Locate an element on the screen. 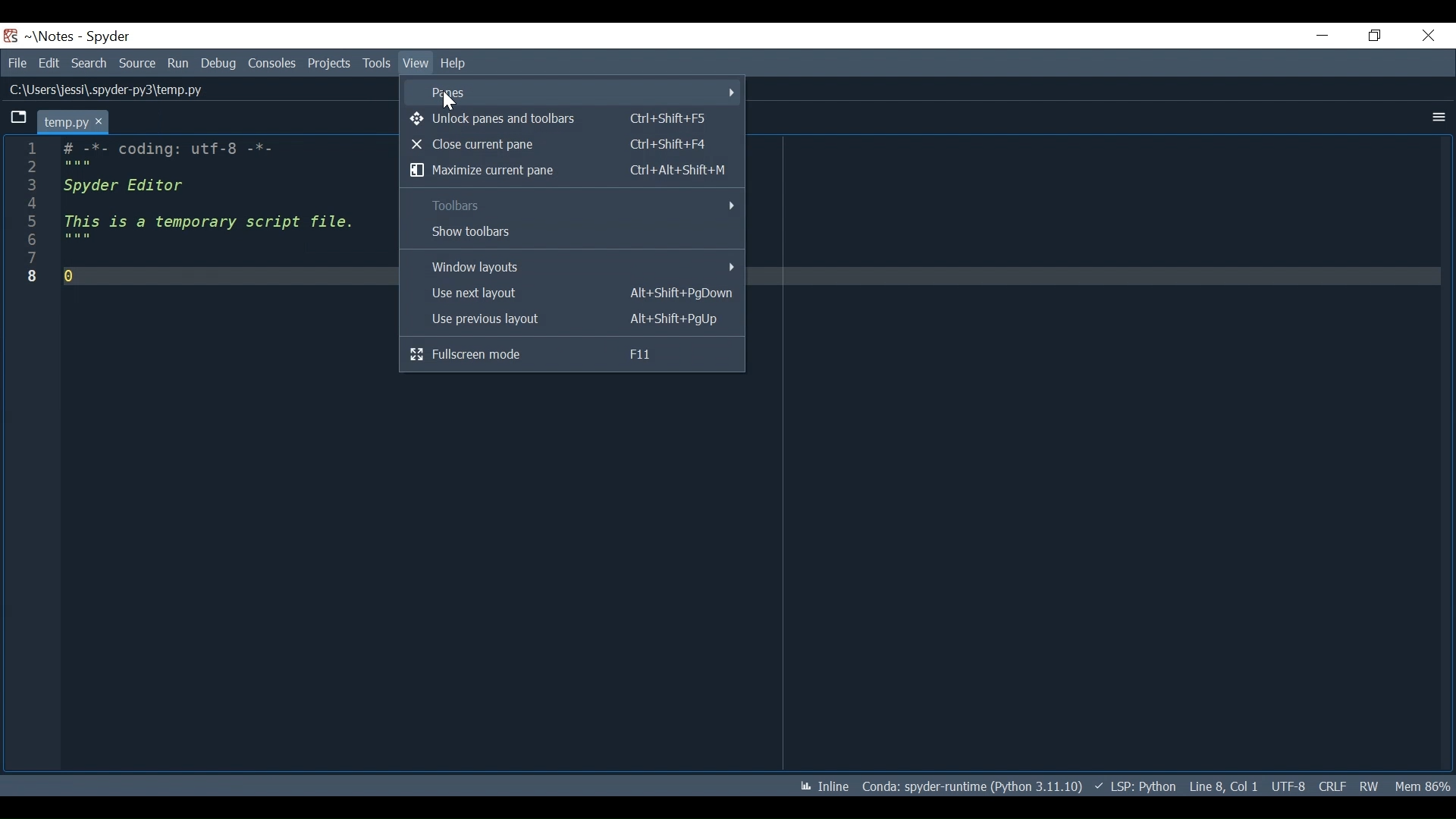  Toggle between inline and interactive Matplotlib plotting is located at coordinates (826, 786).